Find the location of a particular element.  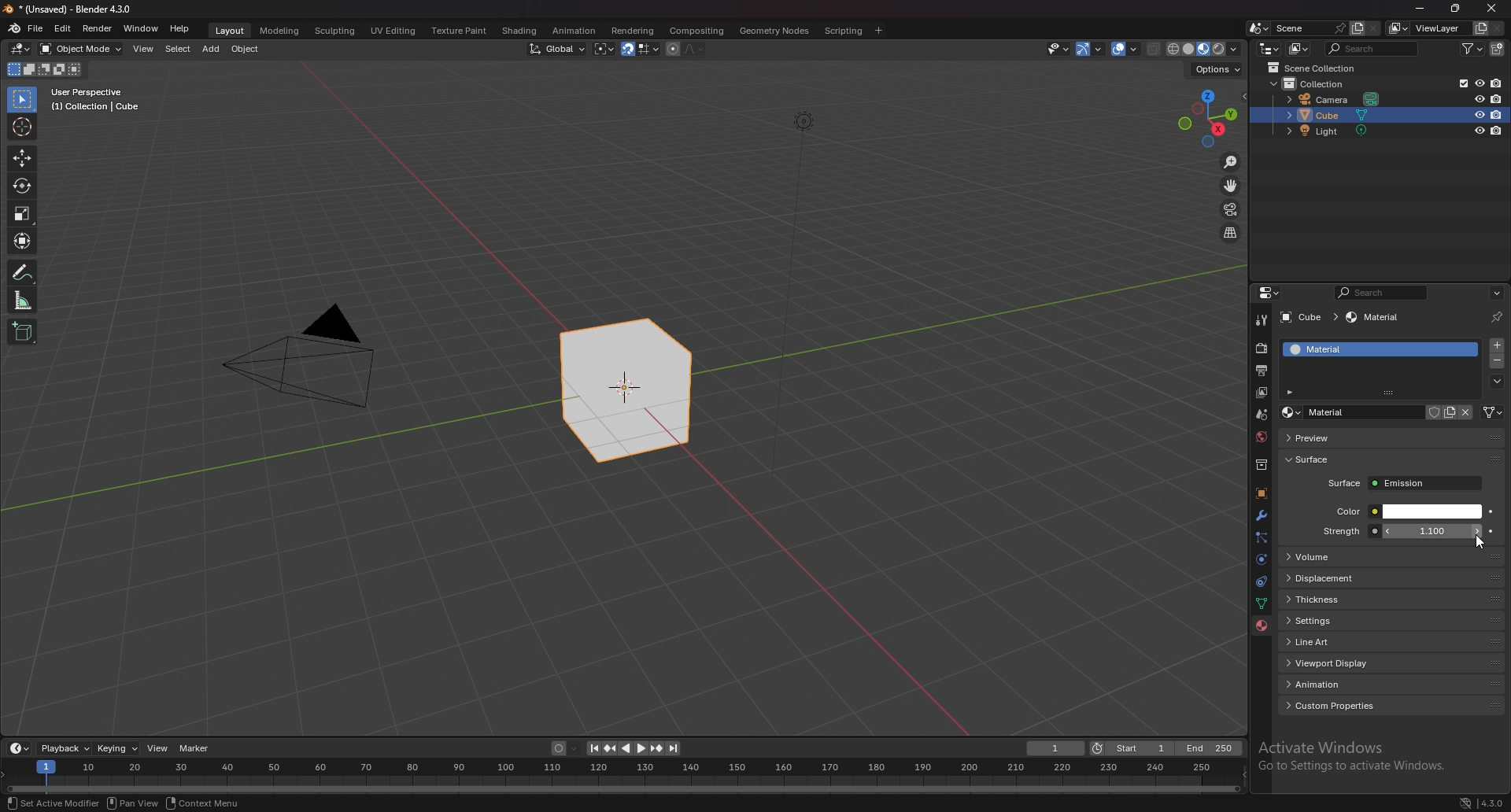

measure is located at coordinates (23, 300).